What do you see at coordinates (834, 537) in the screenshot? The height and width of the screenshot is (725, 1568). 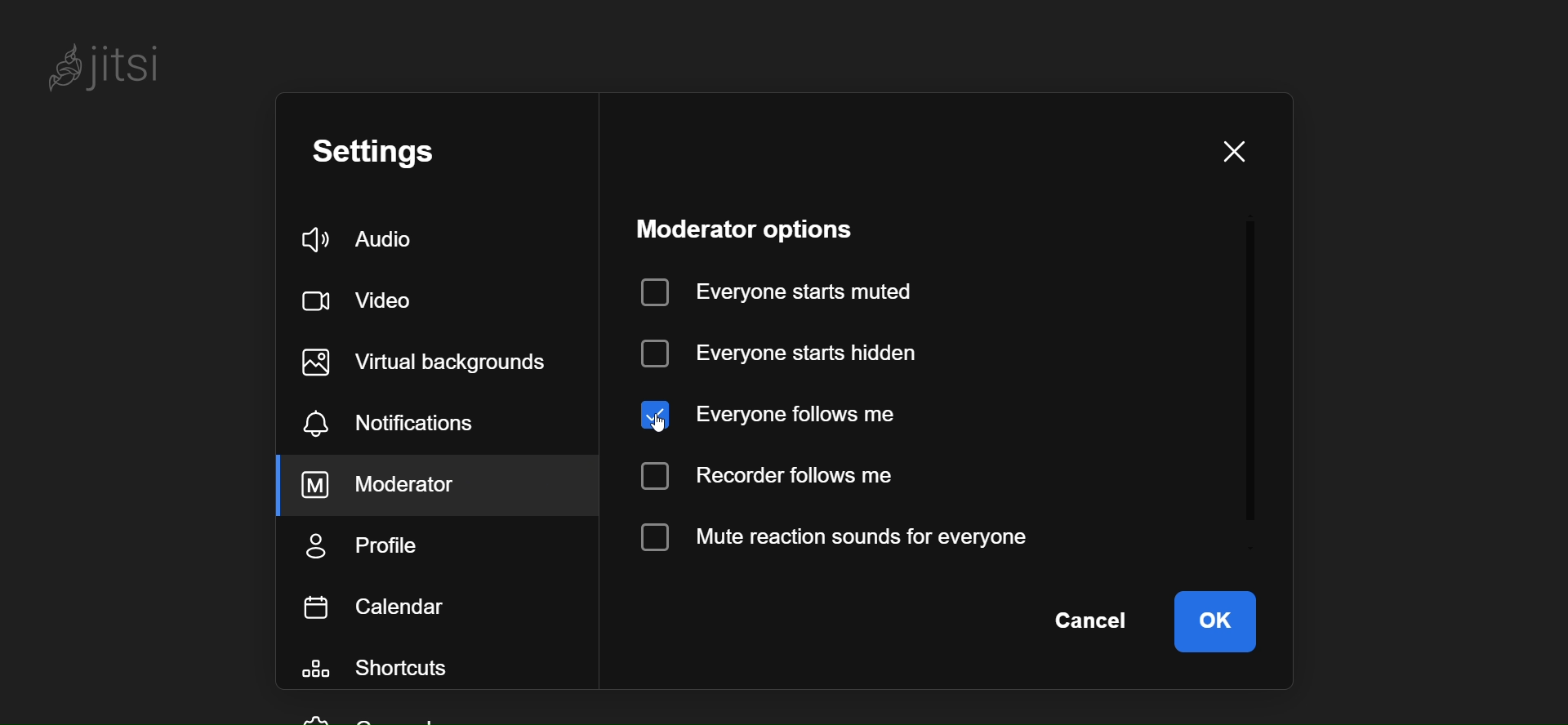 I see `Mute reaction sounds for everyone` at bounding box center [834, 537].